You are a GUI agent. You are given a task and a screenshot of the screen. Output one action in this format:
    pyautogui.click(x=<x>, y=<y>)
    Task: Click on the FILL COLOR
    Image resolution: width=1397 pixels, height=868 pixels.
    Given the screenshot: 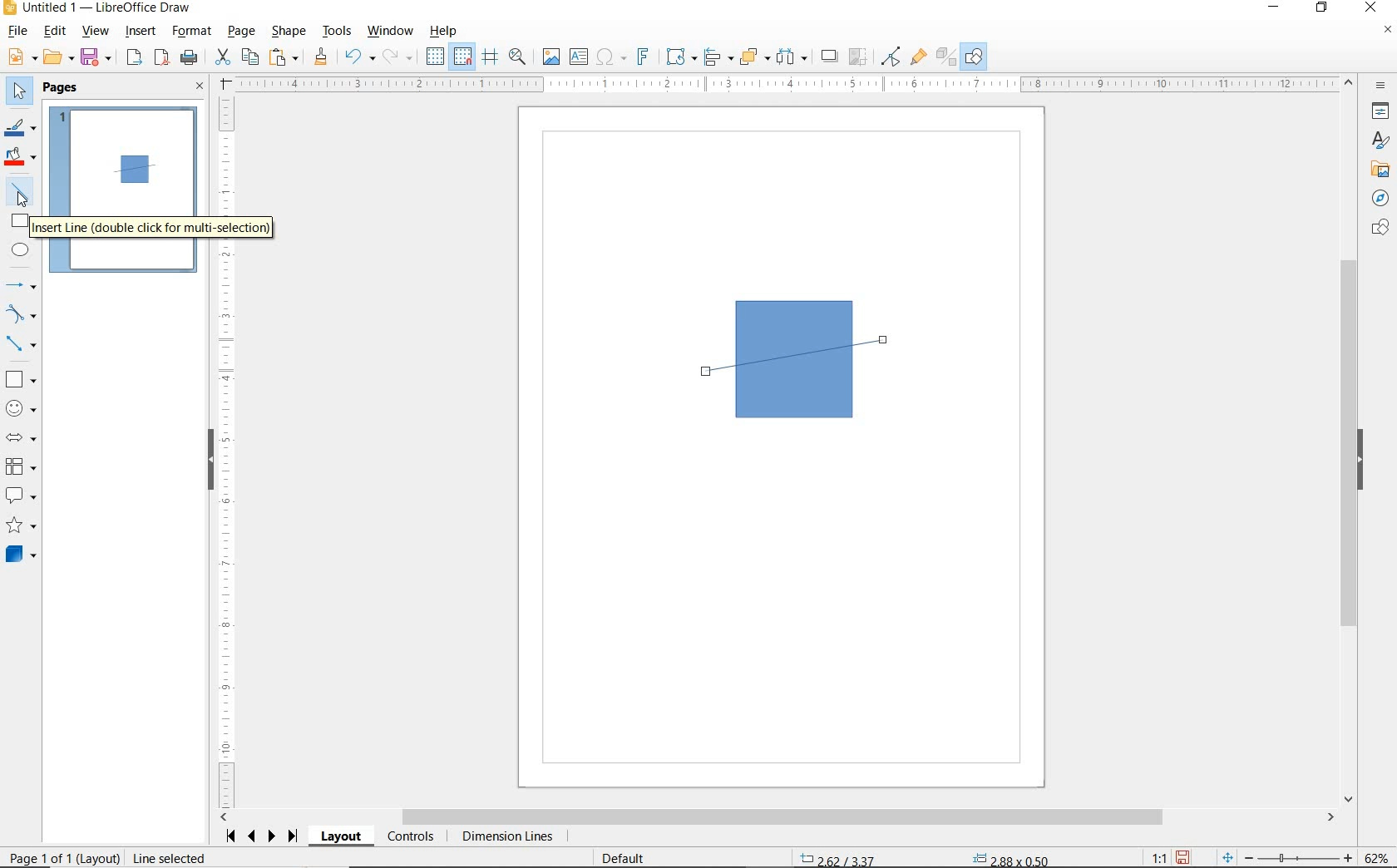 What is the action you would take?
    pyautogui.click(x=22, y=159)
    